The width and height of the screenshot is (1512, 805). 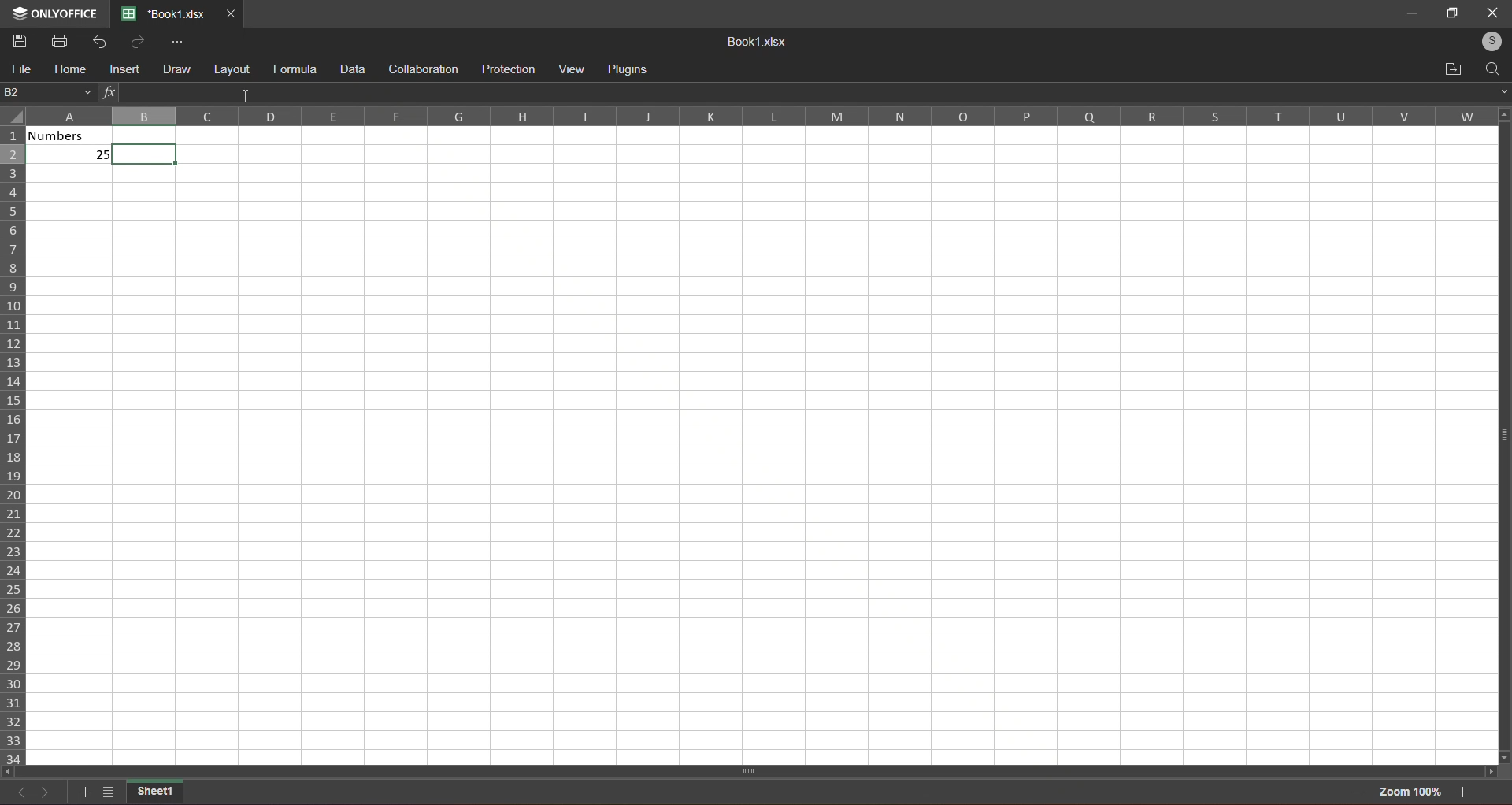 What do you see at coordinates (247, 94) in the screenshot?
I see `cursor` at bounding box center [247, 94].